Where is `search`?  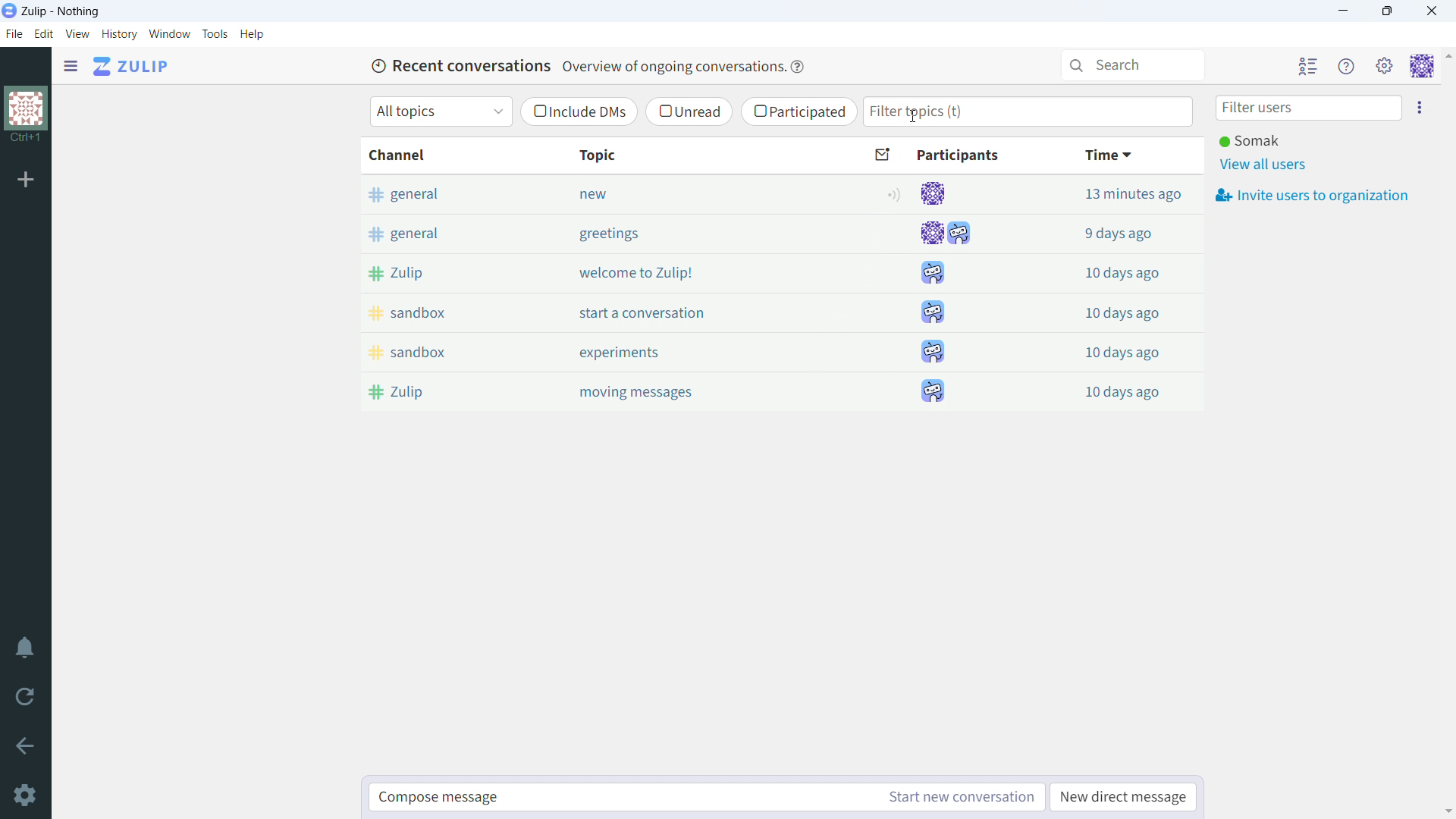
search is located at coordinates (1135, 65).